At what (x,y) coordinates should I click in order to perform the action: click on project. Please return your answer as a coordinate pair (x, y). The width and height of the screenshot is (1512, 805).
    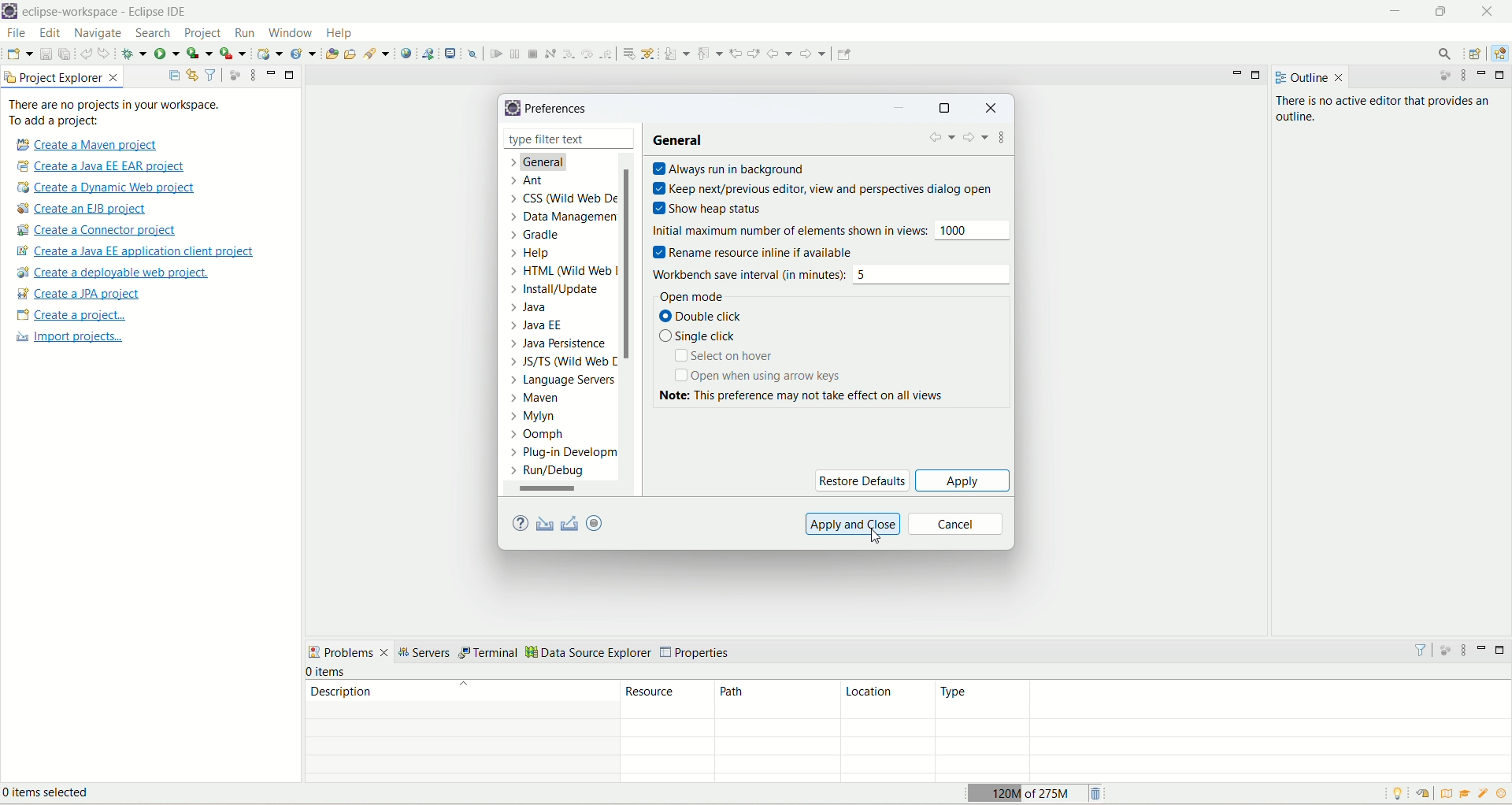
    Looking at the image, I should click on (203, 35).